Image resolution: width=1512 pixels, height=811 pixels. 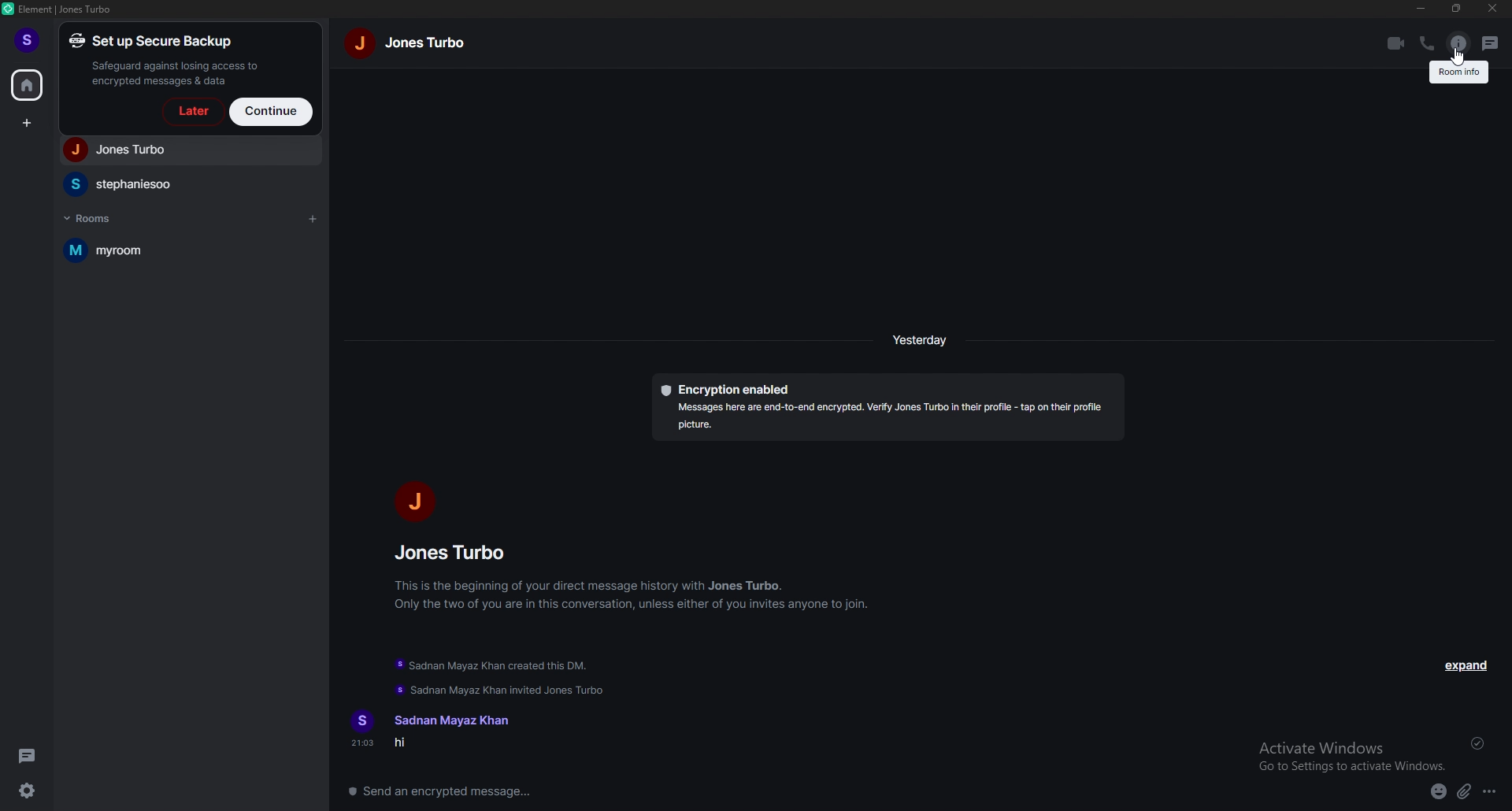 What do you see at coordinates (1422, 8) in the screenshot?
I see `minimize` at bounding box center [1422, 8].